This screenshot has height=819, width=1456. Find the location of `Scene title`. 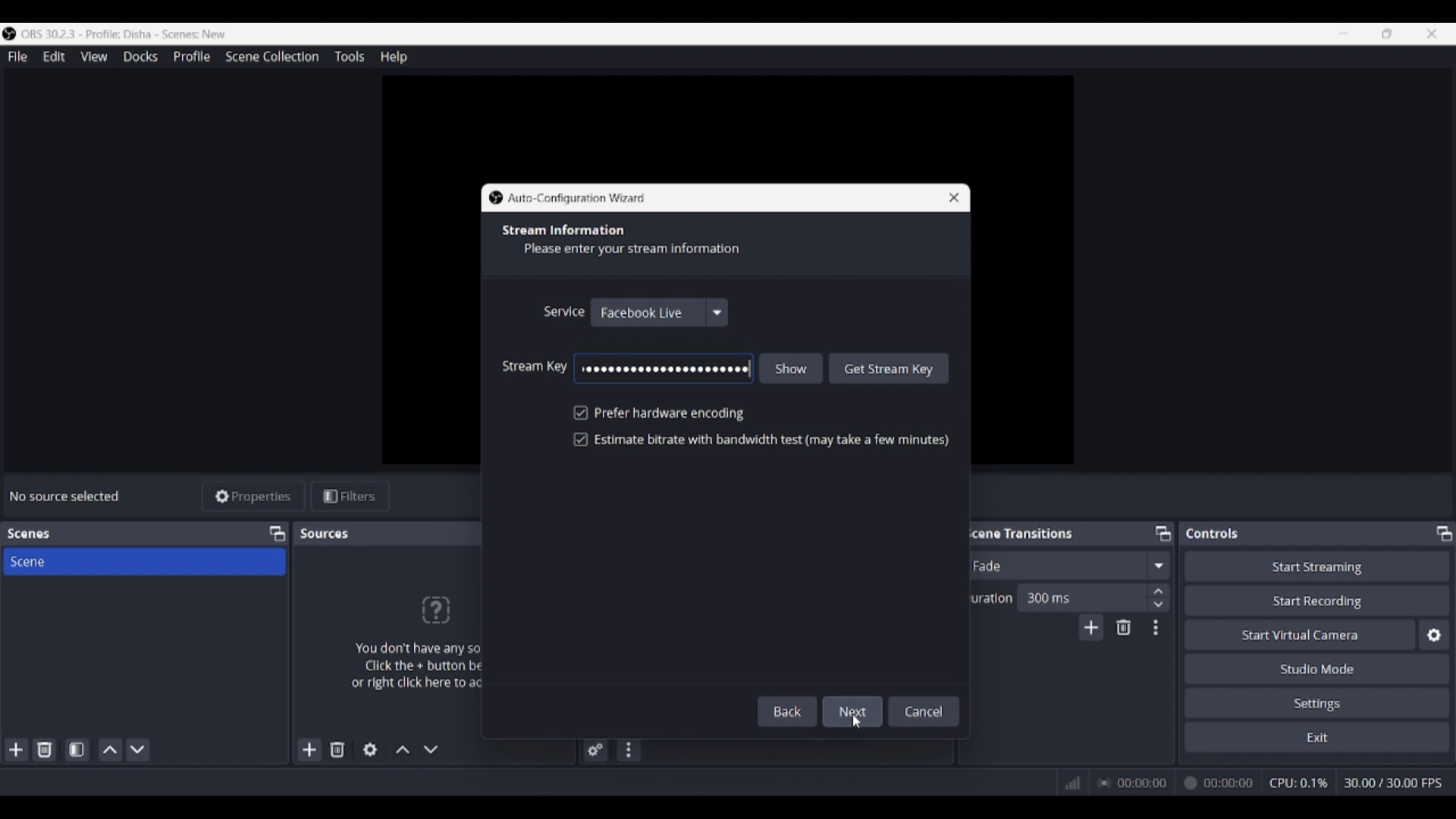

Scene title is located at coordinates (144, 561).